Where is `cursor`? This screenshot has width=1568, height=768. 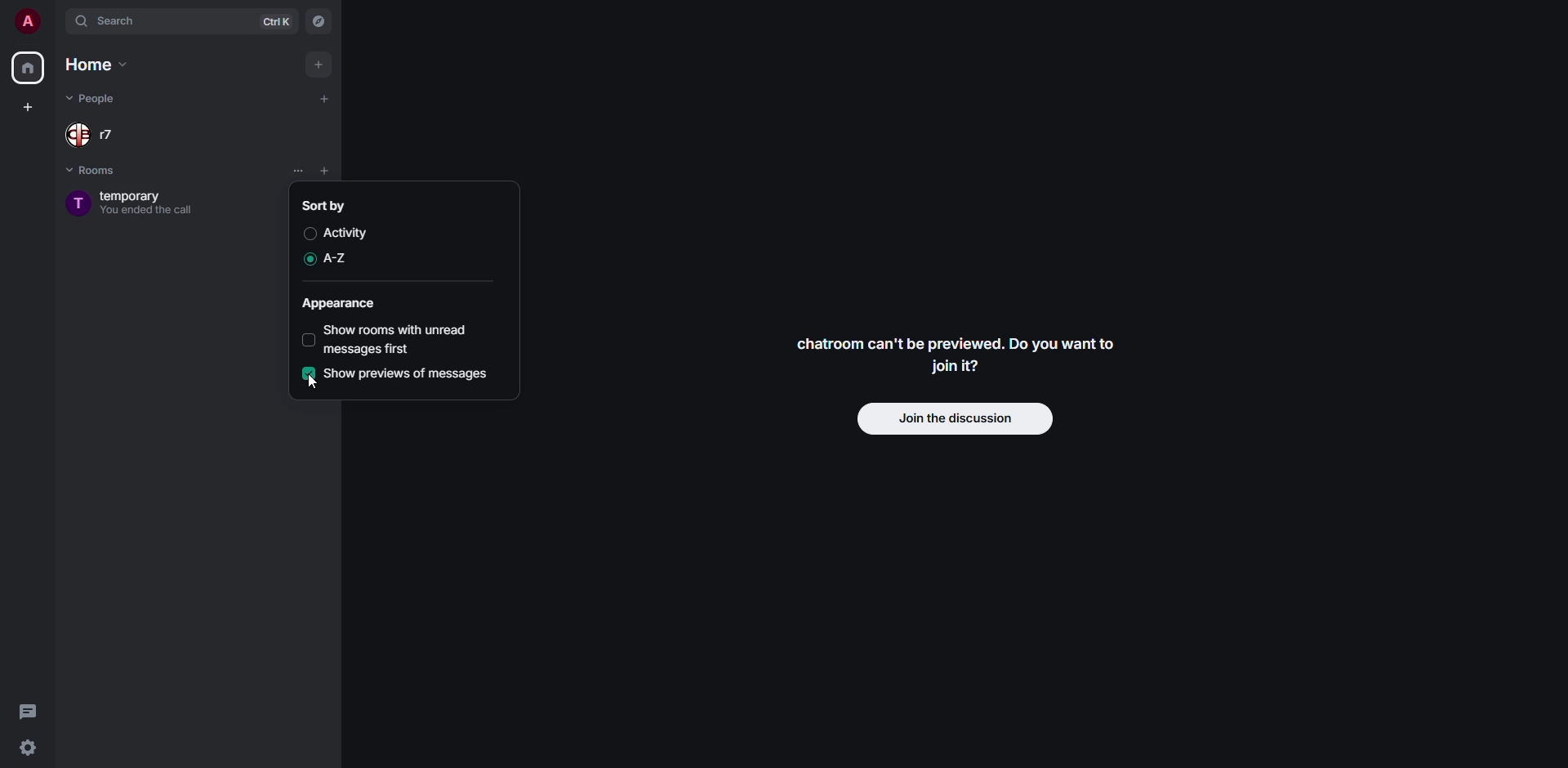
cursor is located at coordinates (308, 388).